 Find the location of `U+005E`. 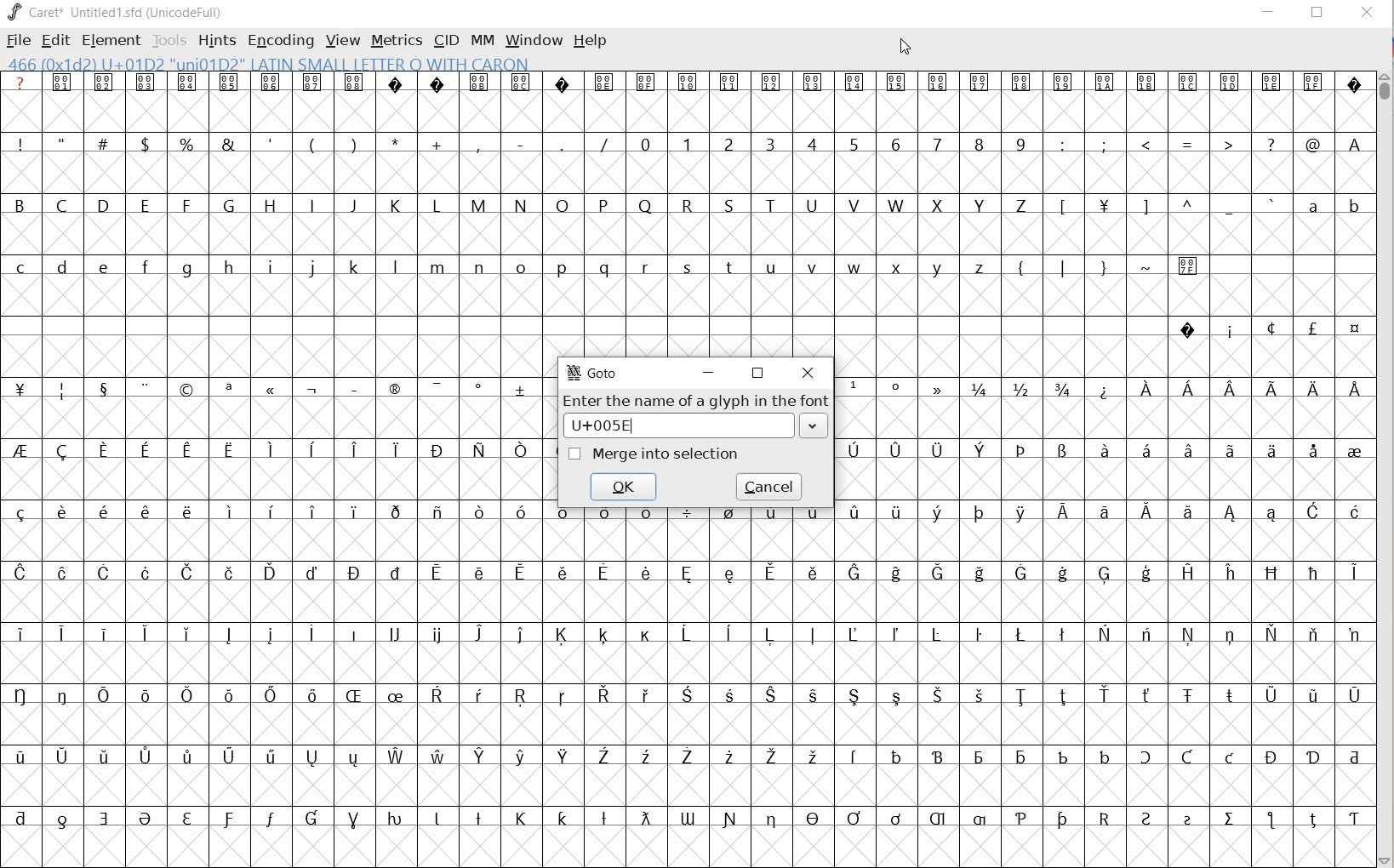

U+005E is located at coordinates (699, 426).